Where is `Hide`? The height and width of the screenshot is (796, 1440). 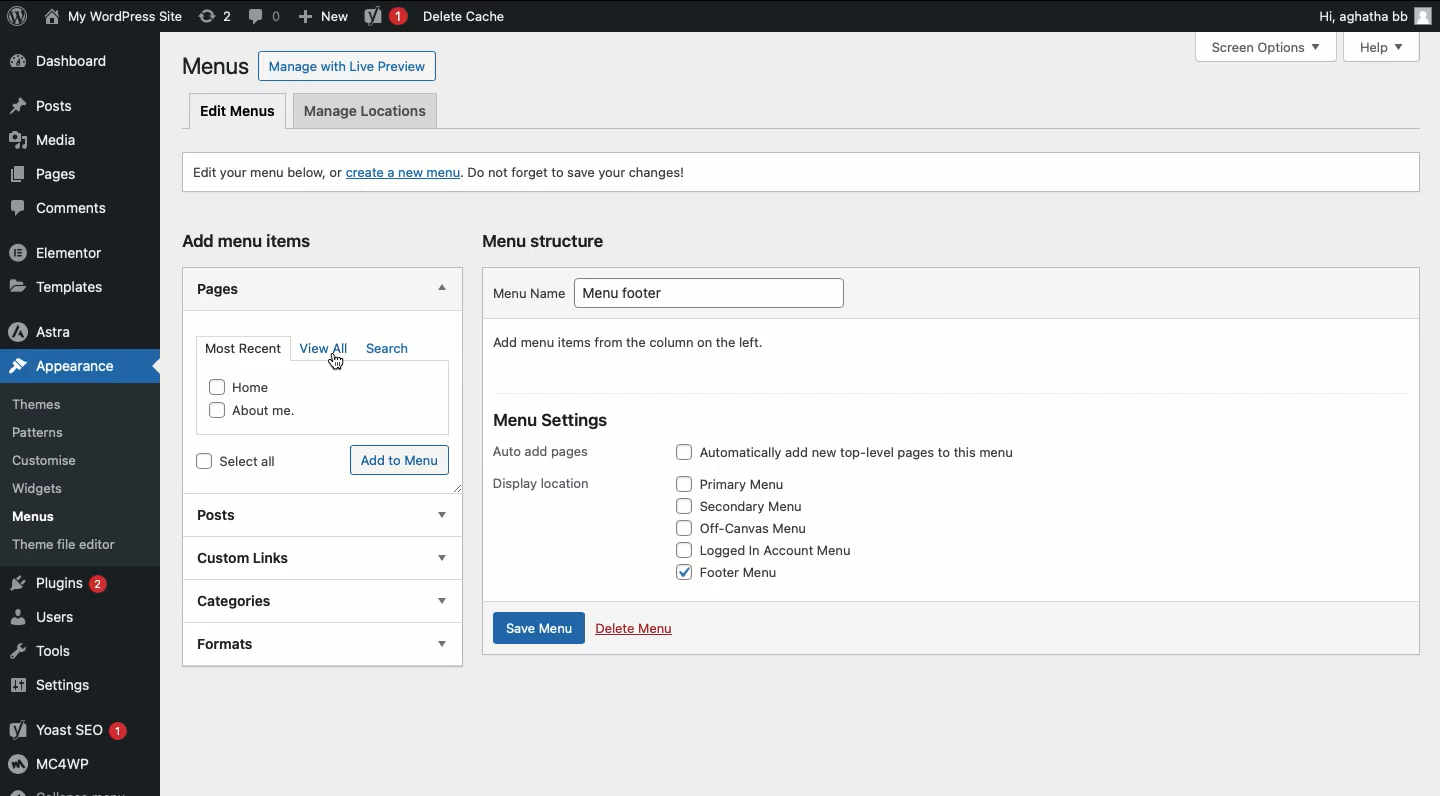
Hide is located at coordinates (443, 287).